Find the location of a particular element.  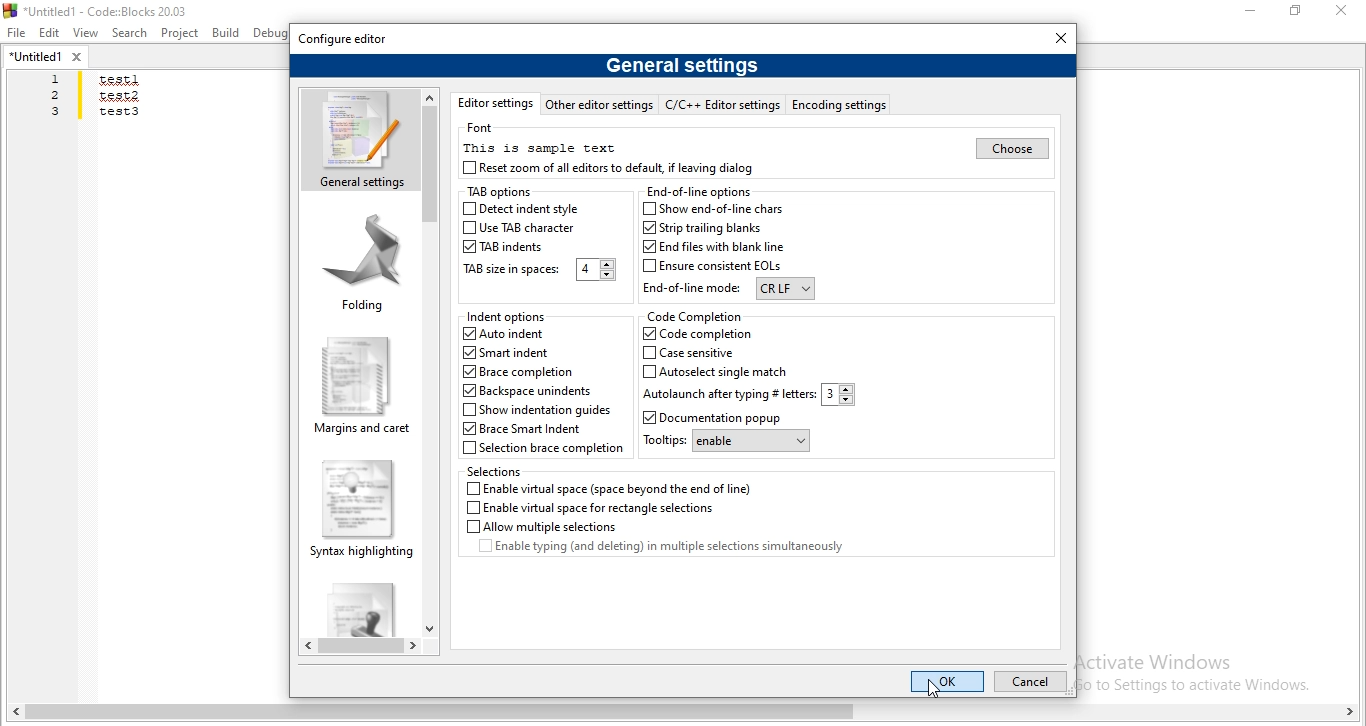

ok is located at coordinates (945, 681).